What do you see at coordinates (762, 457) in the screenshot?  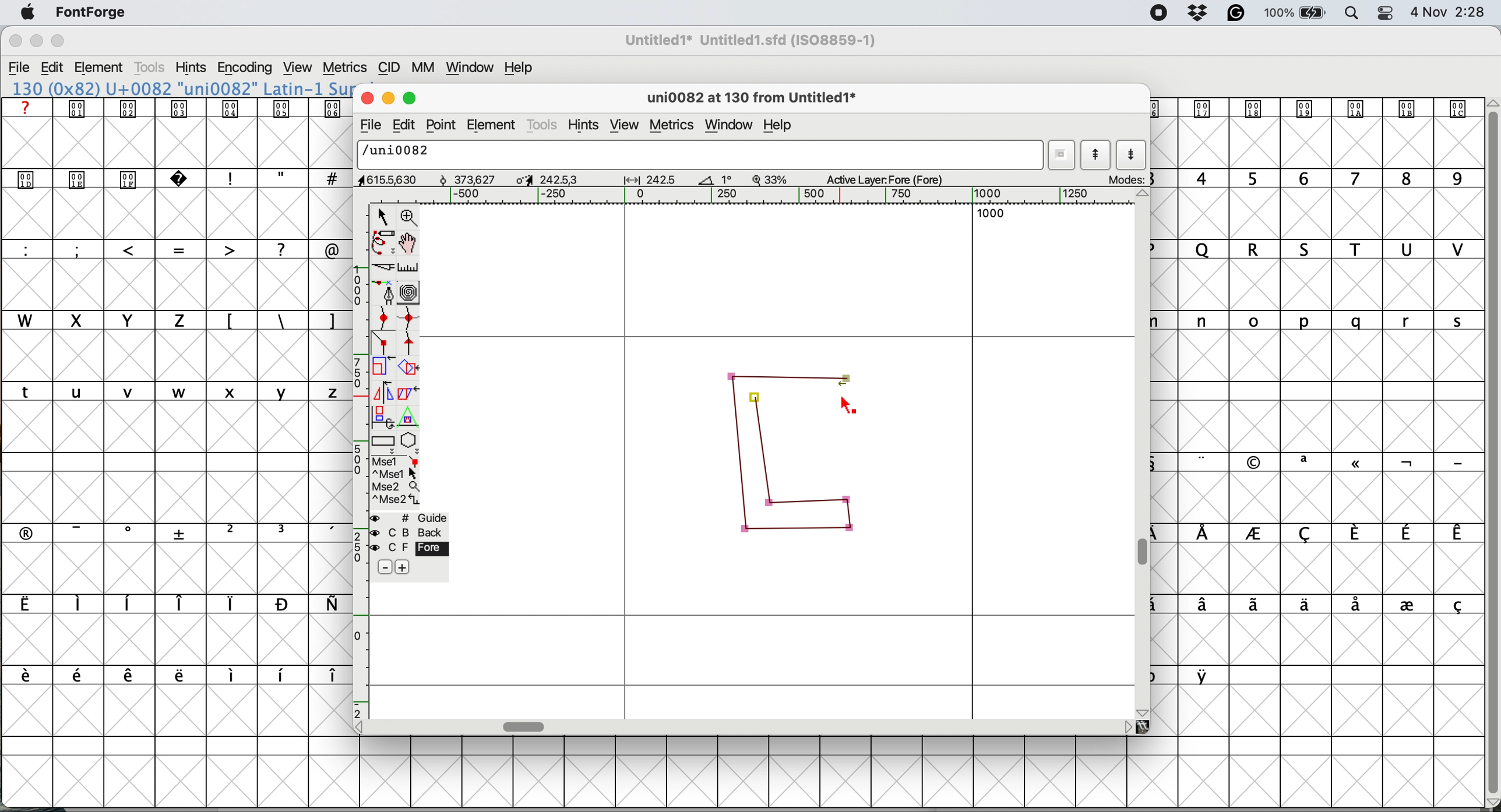 I see `corner points connected` at bounding box center [762, 457].